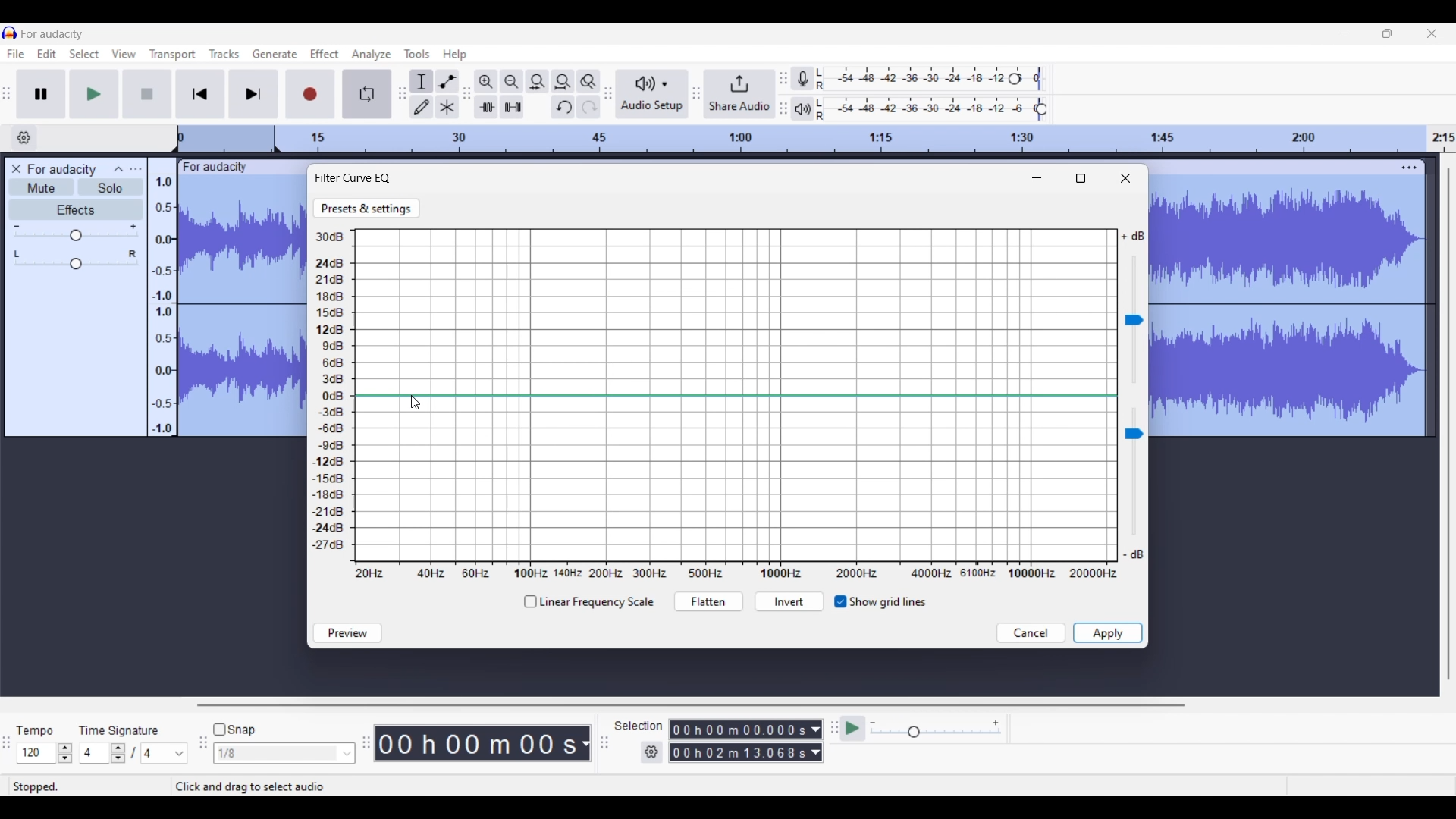 This screenshot has width=1456, height=819. Describe the element at coordinates (478, 744) in the screenshot. I see `Duration of recorded audio` at that location.